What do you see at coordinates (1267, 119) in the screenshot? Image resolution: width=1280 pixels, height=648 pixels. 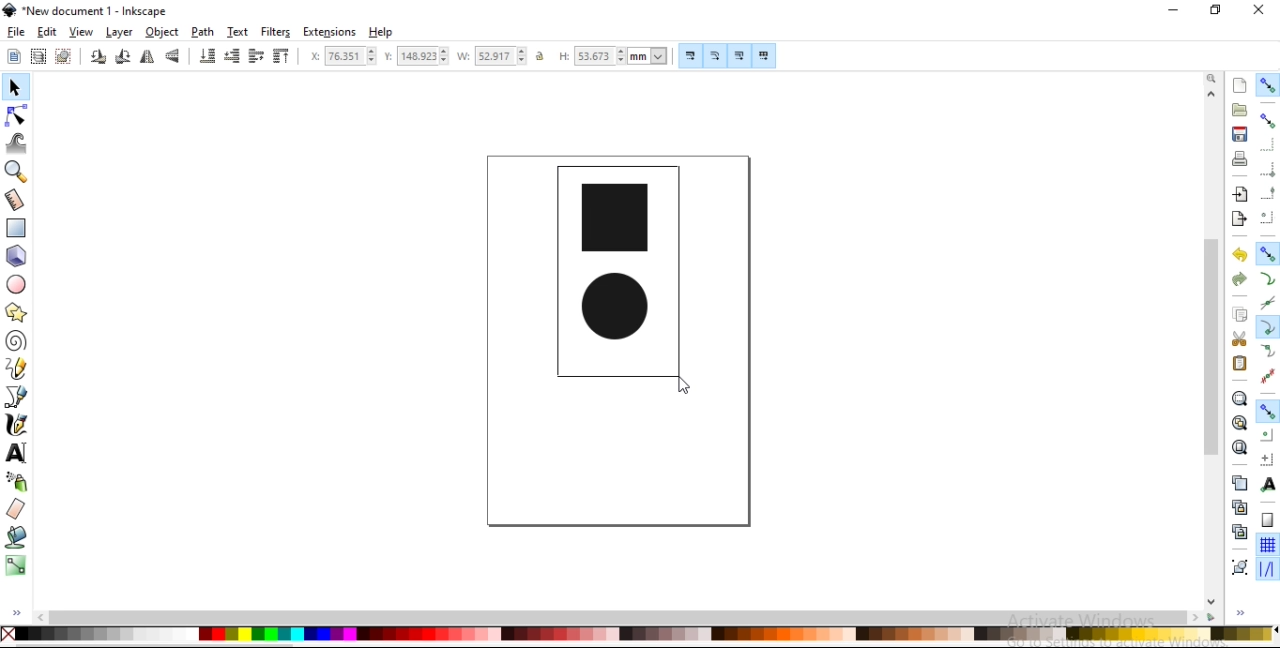 I see `snap bounding boxes` at bounding box center [1267, 119].